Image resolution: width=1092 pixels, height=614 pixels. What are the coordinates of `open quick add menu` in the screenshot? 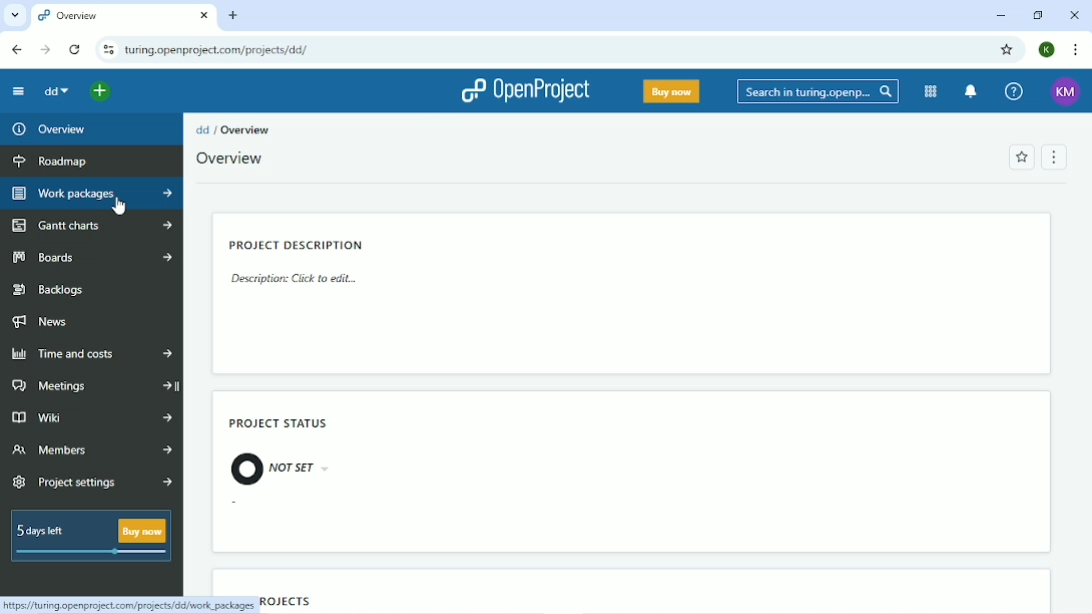 It's located at (100, 90).